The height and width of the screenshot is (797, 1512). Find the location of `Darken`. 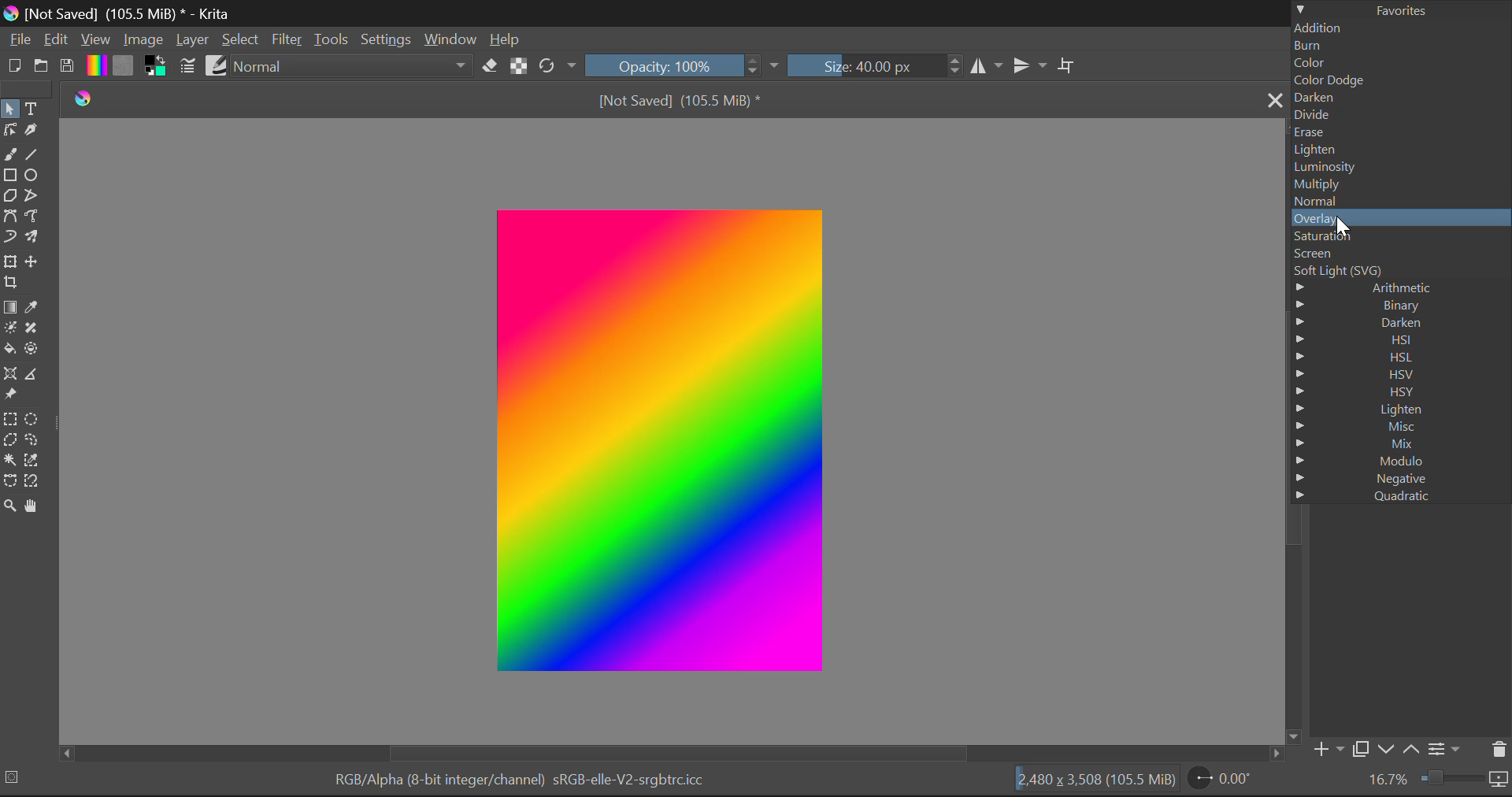

Darken is located at coordinates (1398, 98).